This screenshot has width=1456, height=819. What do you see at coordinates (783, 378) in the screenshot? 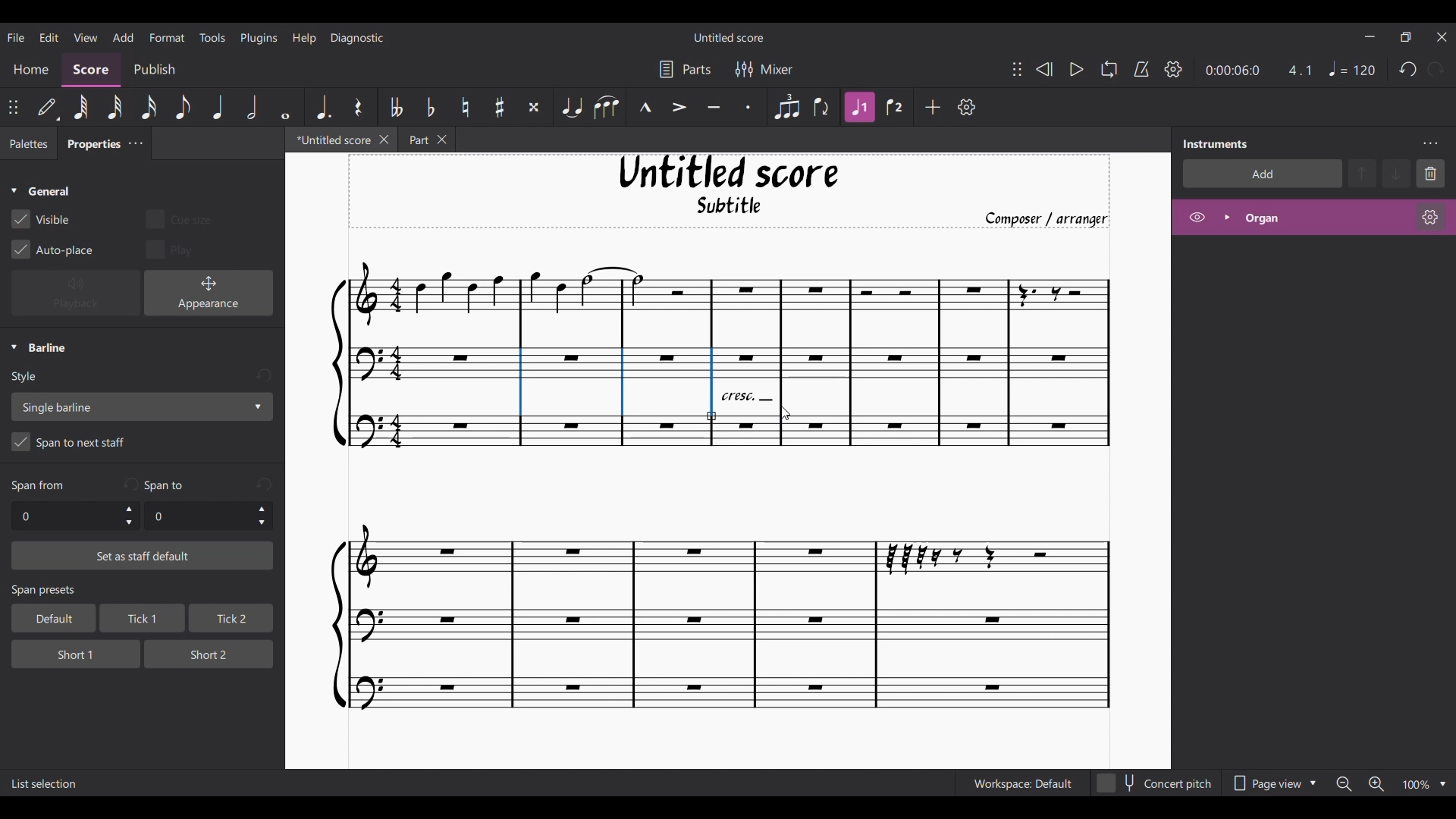
I see `Highlighted due to selection by cursor` at bounding box center [783, 378].